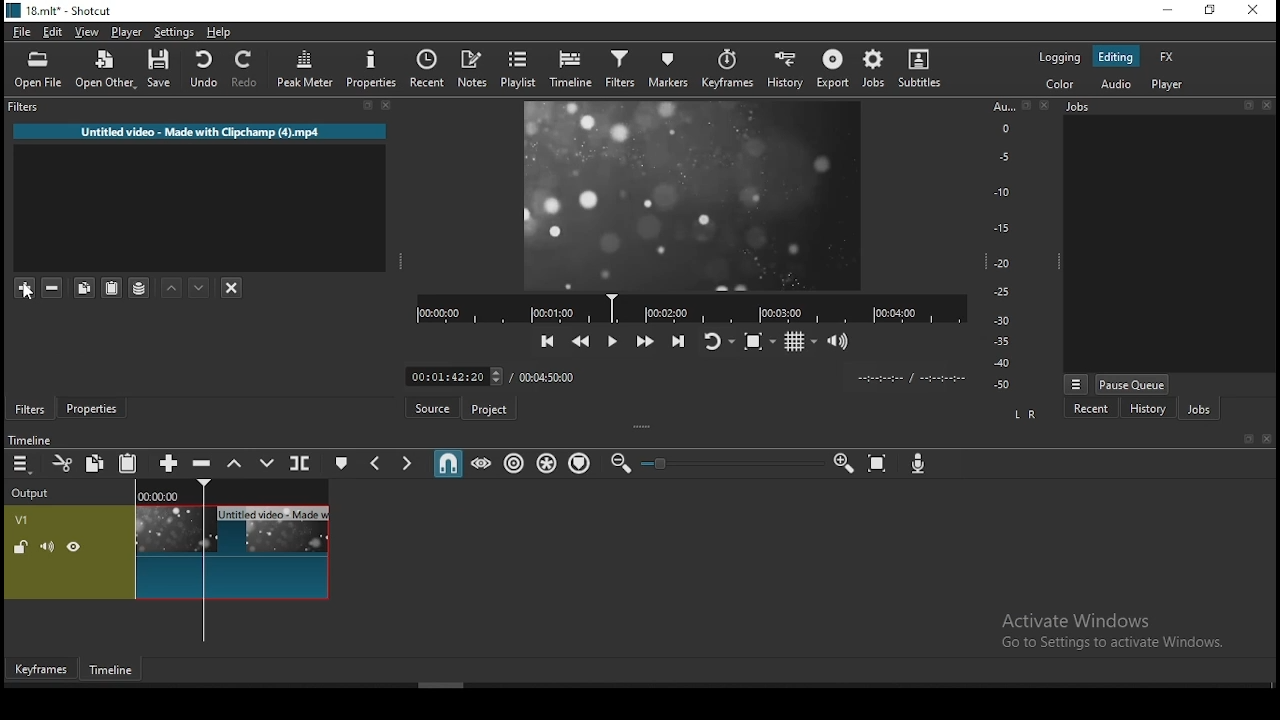 The height and width of the screenshot is (720, 1280). Describe the element at coordinates (1061, 85) in the screenshot. I see `color` at that location.